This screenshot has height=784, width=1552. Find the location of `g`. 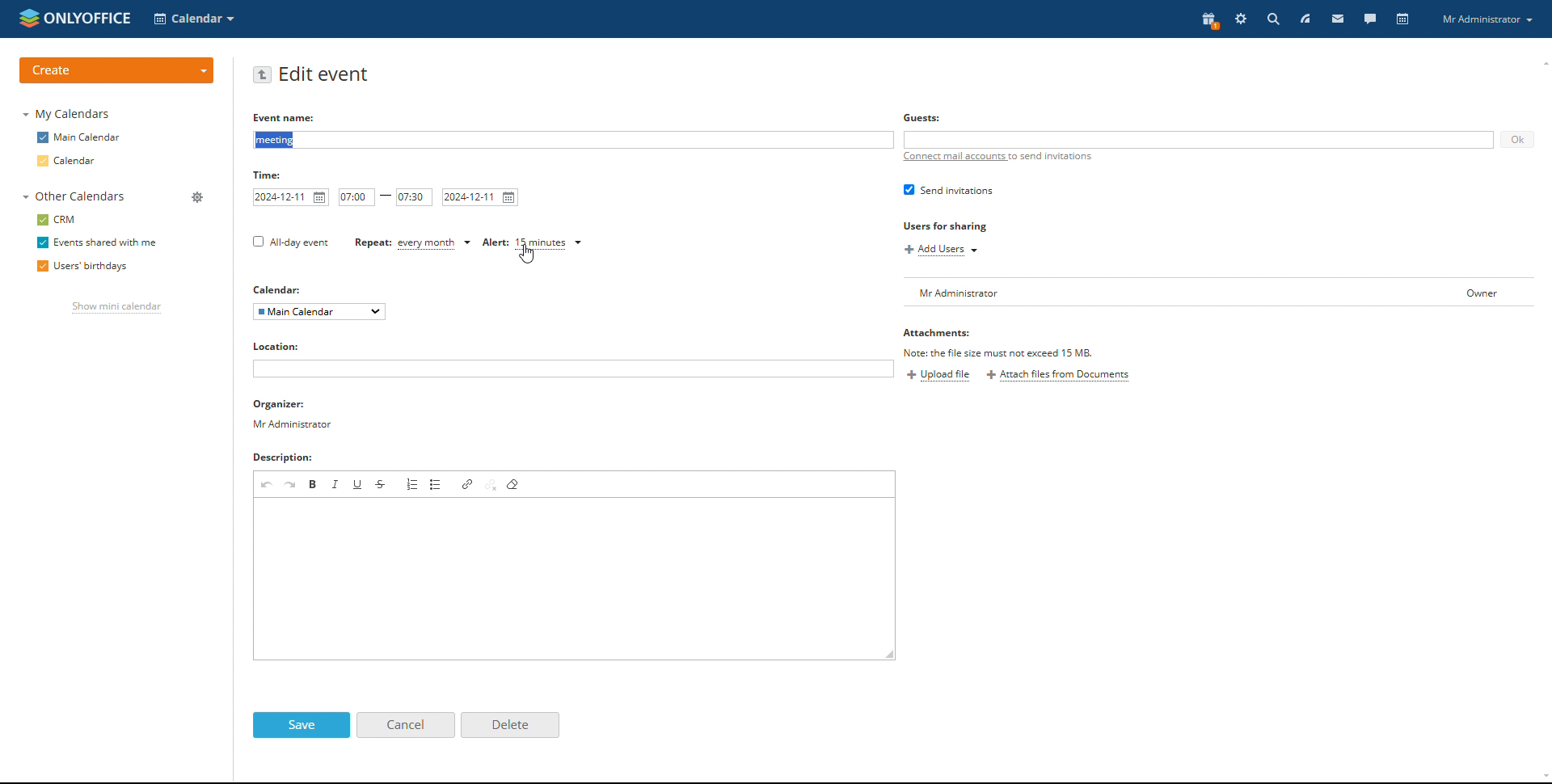

g is located at coordinates (917, 118).